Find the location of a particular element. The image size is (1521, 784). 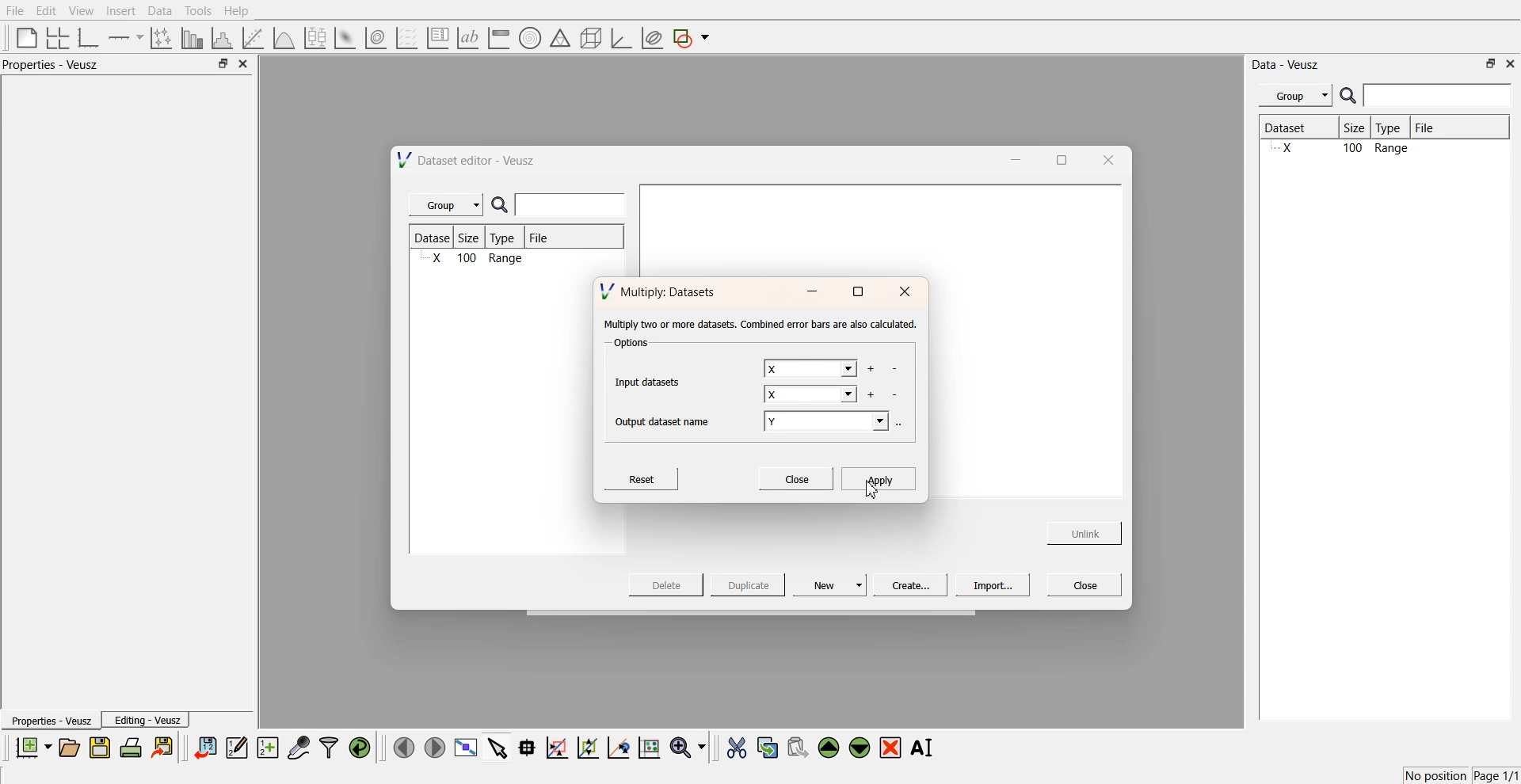

Properties - Veusz is located at coordinates (55, 65).